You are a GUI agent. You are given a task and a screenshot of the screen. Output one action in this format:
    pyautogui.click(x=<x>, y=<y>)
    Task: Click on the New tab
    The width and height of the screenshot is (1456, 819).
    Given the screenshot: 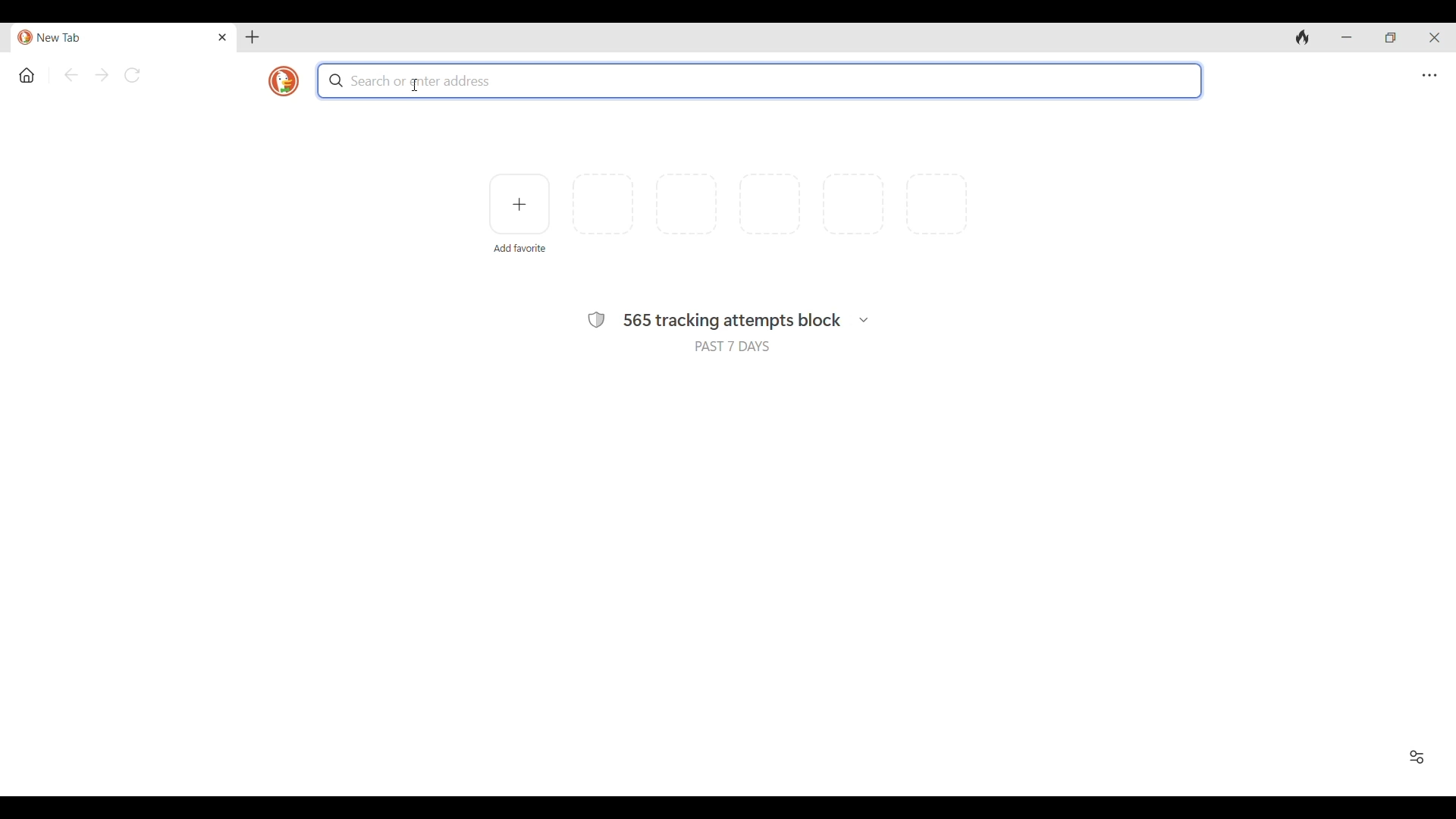 What is the action you would take?
    pyautogui.click(x=114, y=38)
    